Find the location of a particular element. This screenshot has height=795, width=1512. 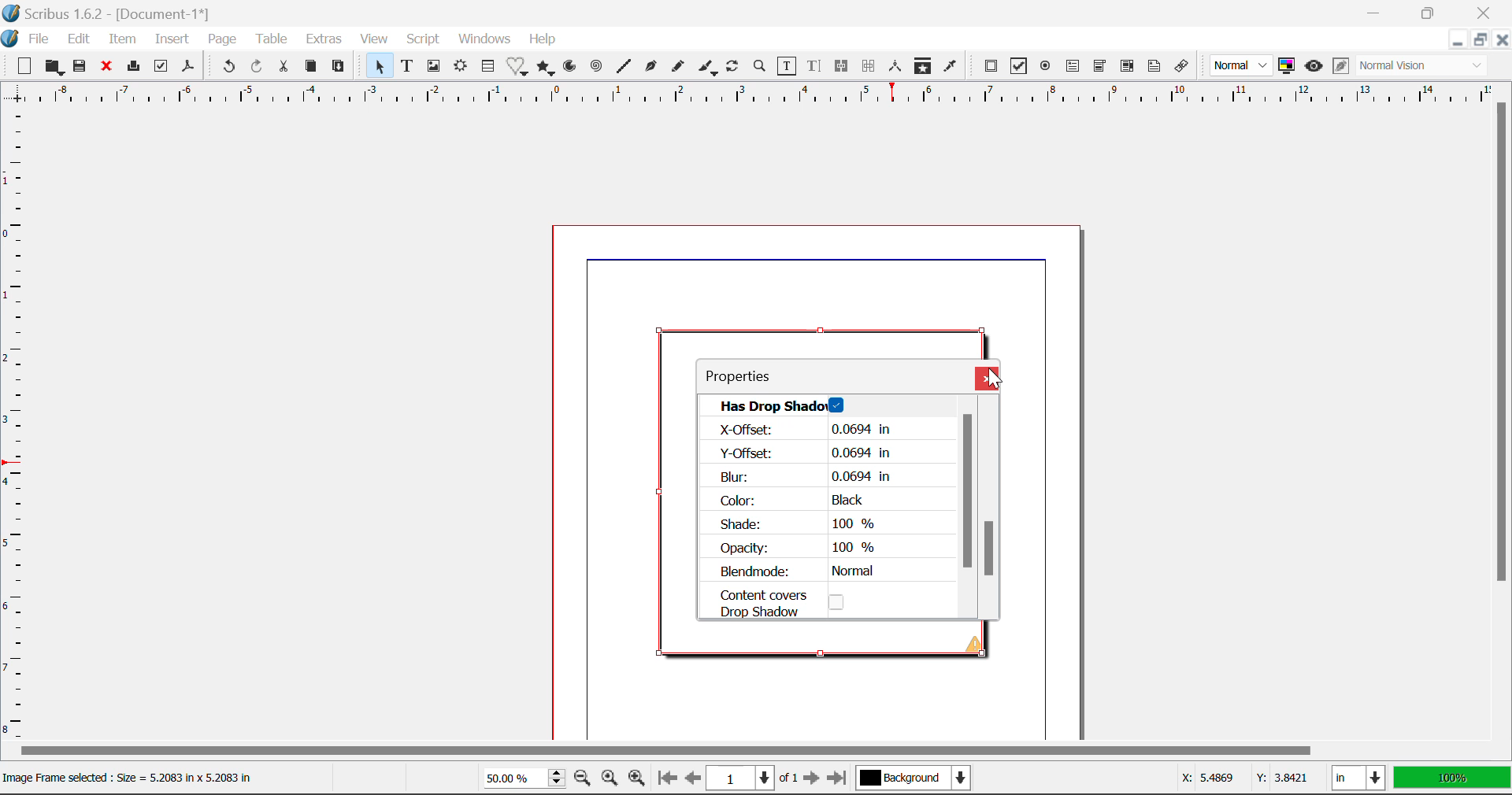

Line is located at coordinates (625, 68).